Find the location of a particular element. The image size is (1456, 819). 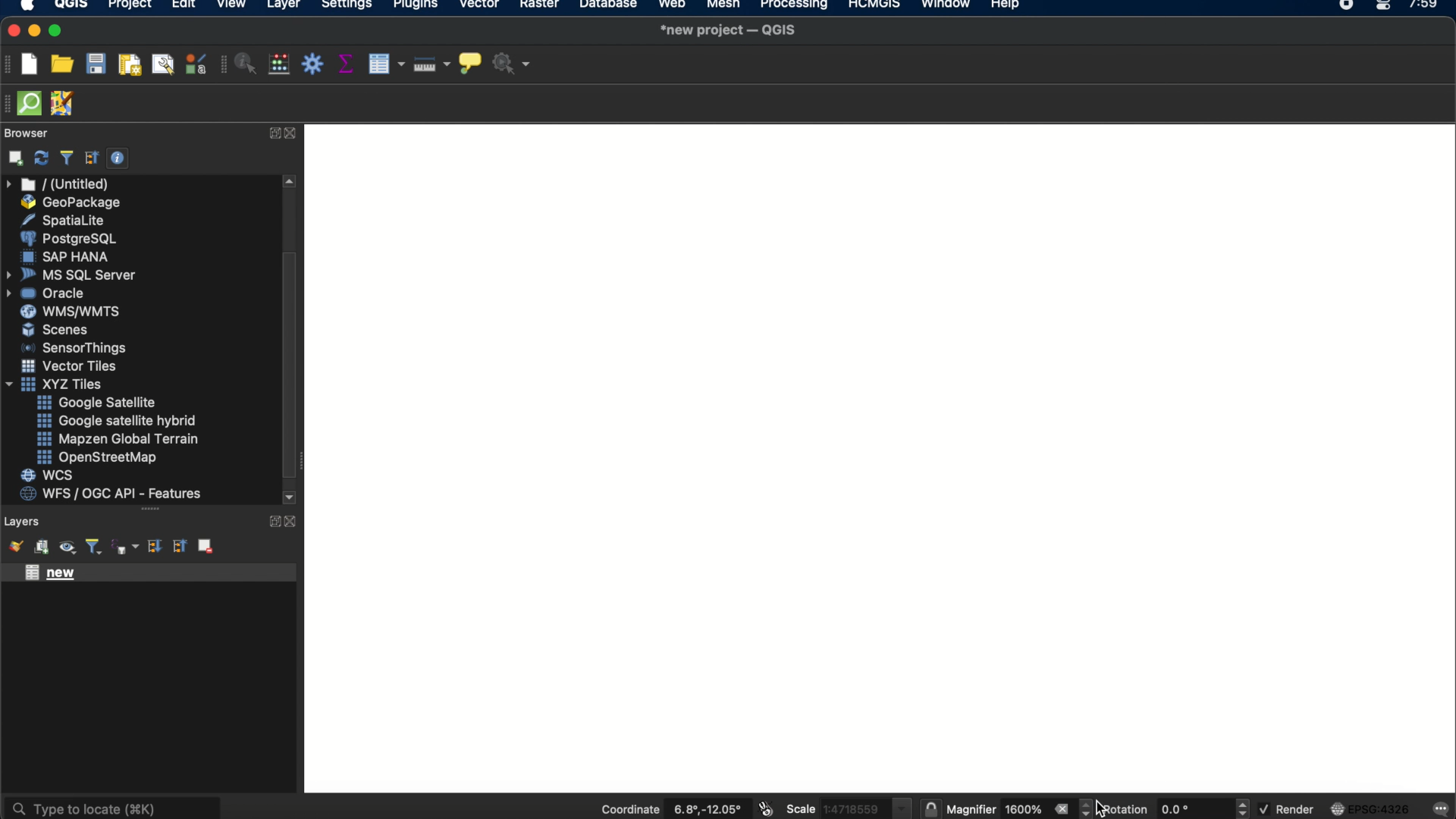

was/ogc api- features is located at coordinates (111, 494).